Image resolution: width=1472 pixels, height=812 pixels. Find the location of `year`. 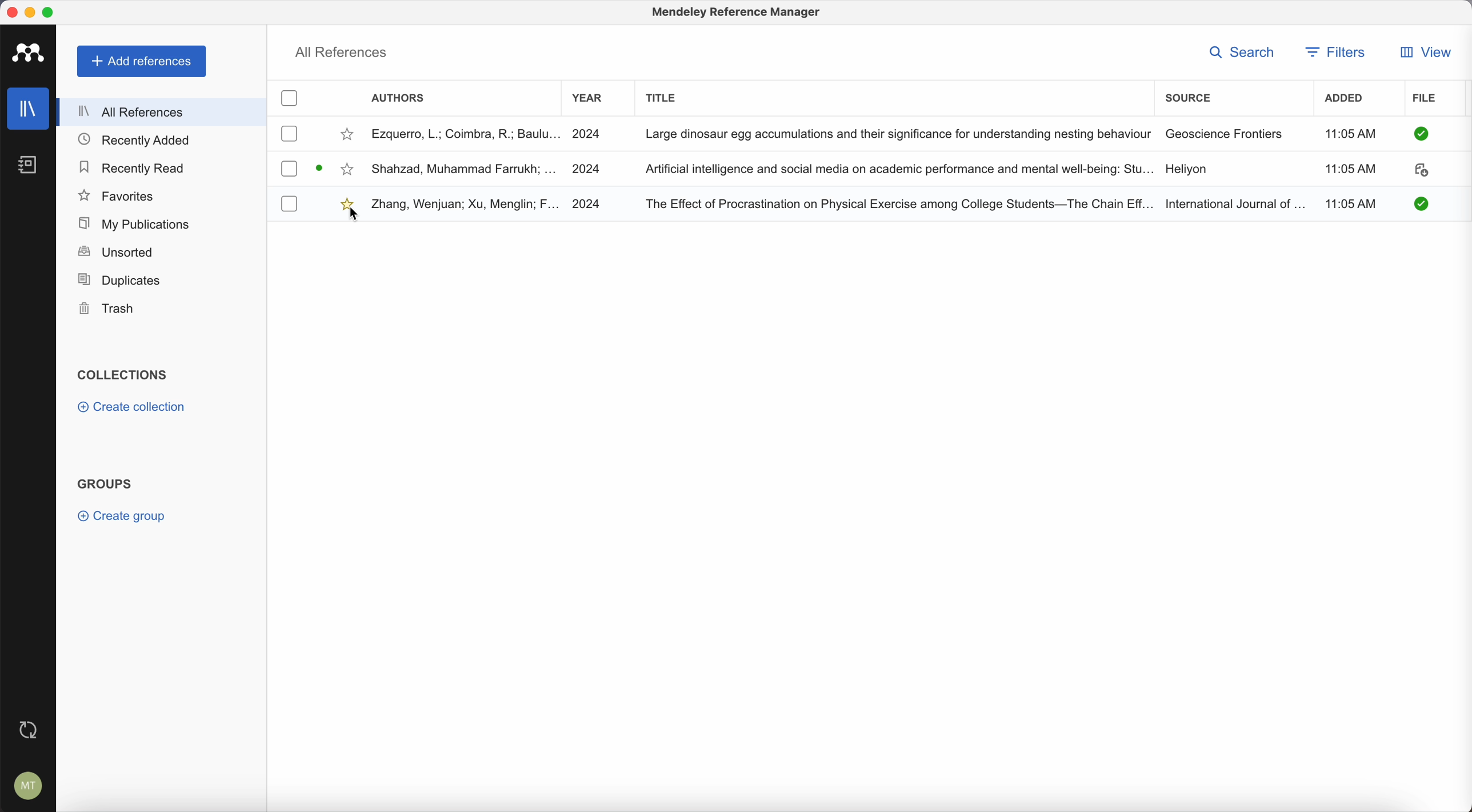

year is located at coordinates (588, 98).